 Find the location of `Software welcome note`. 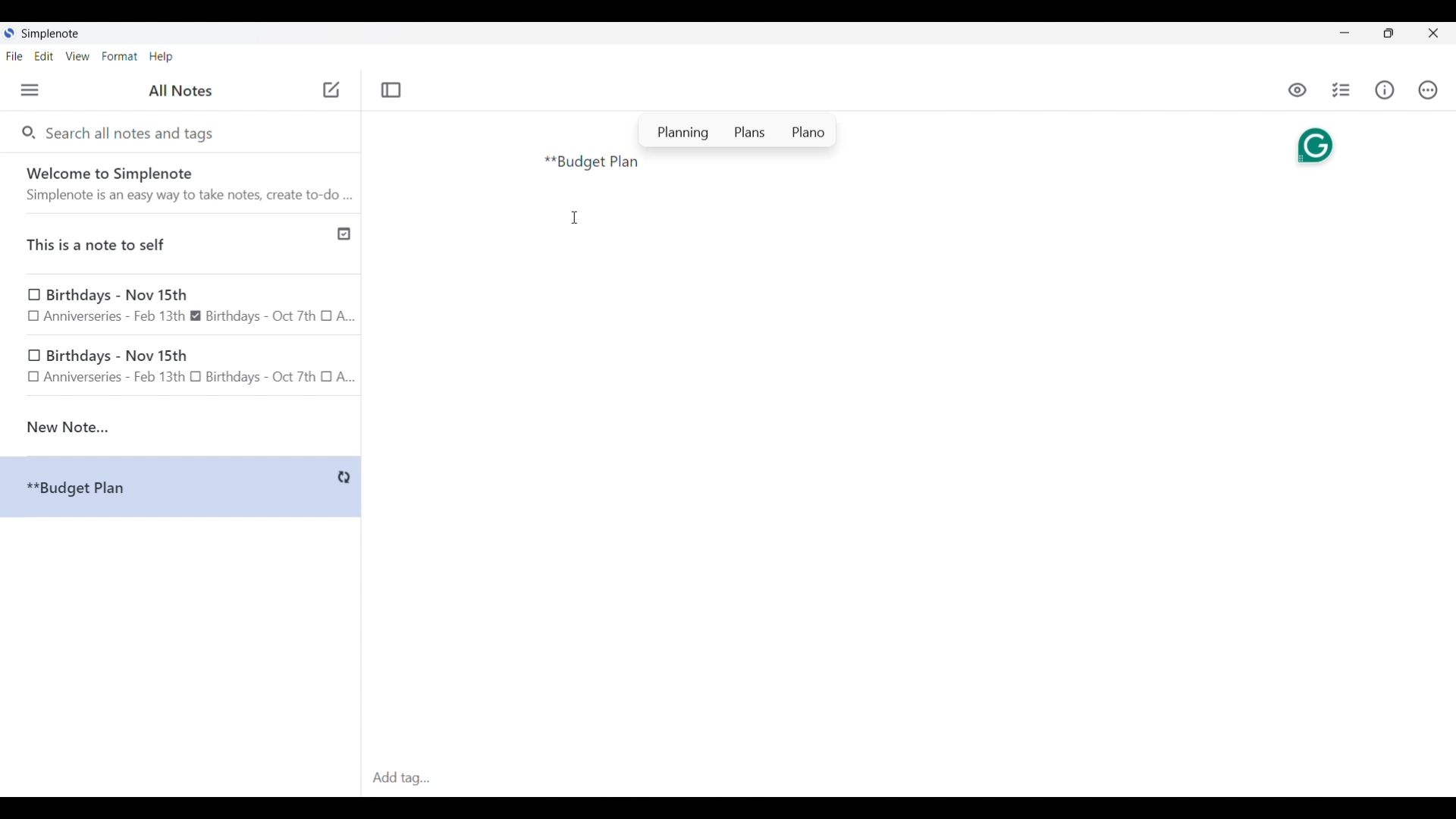

Software welcome note is located at coordinates (184, 183).